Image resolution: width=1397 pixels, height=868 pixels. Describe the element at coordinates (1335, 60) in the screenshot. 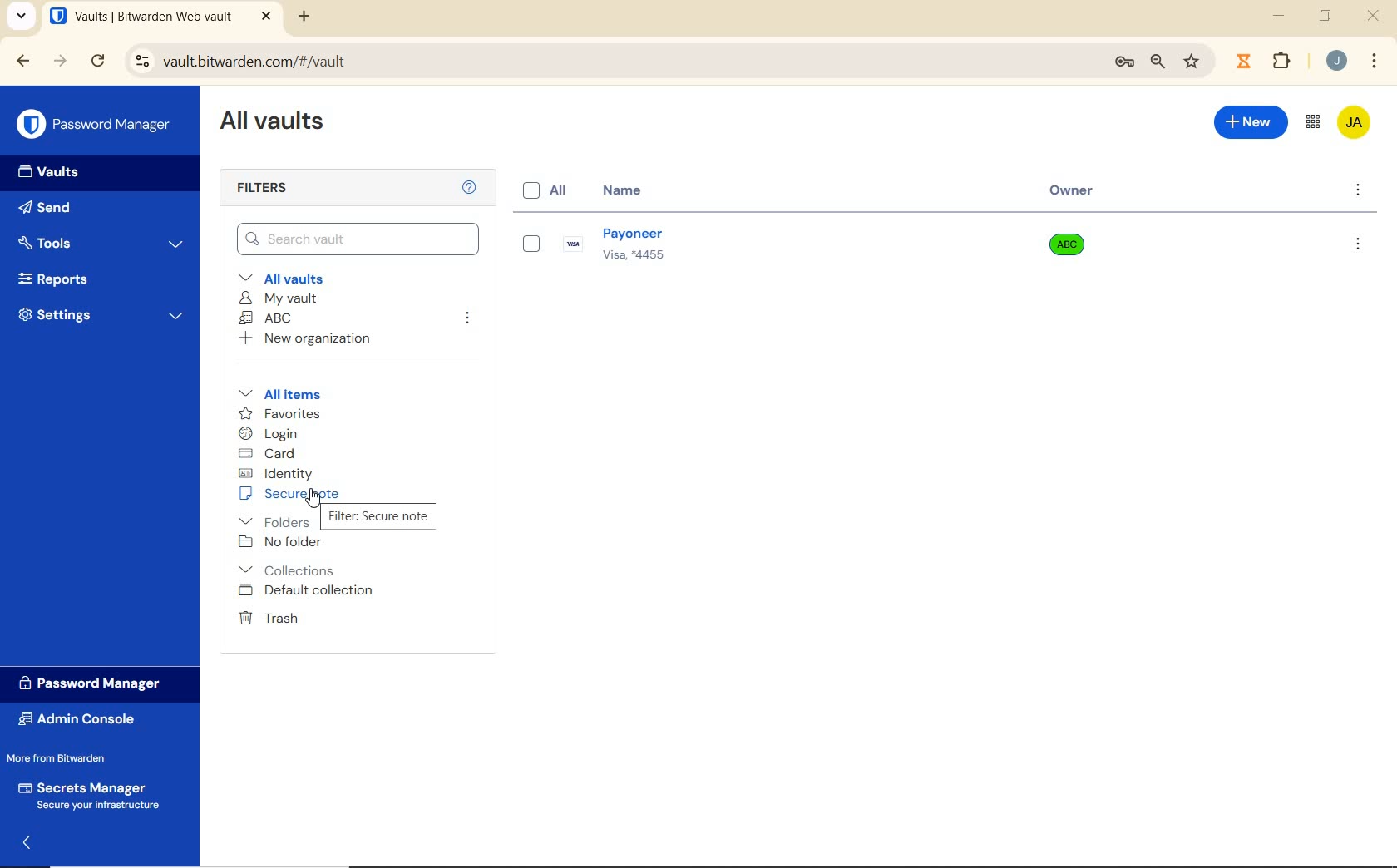

I see `Account` at that location.